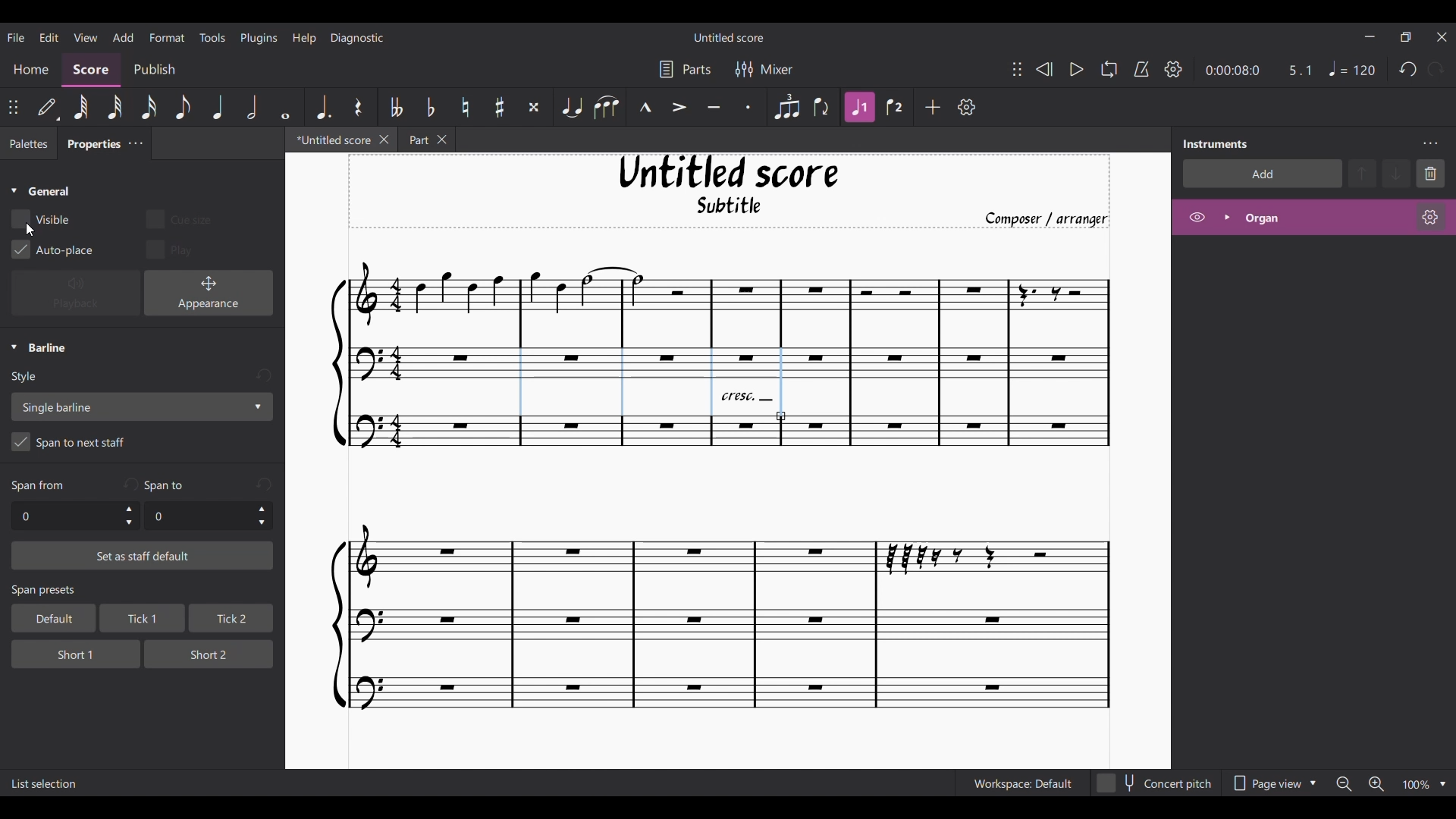 This screenshot has height=819, width=1456. What do you see at coordinates (218, 107) in the screenshot?
I see `Quarter note` at bounding box center [218, 107].